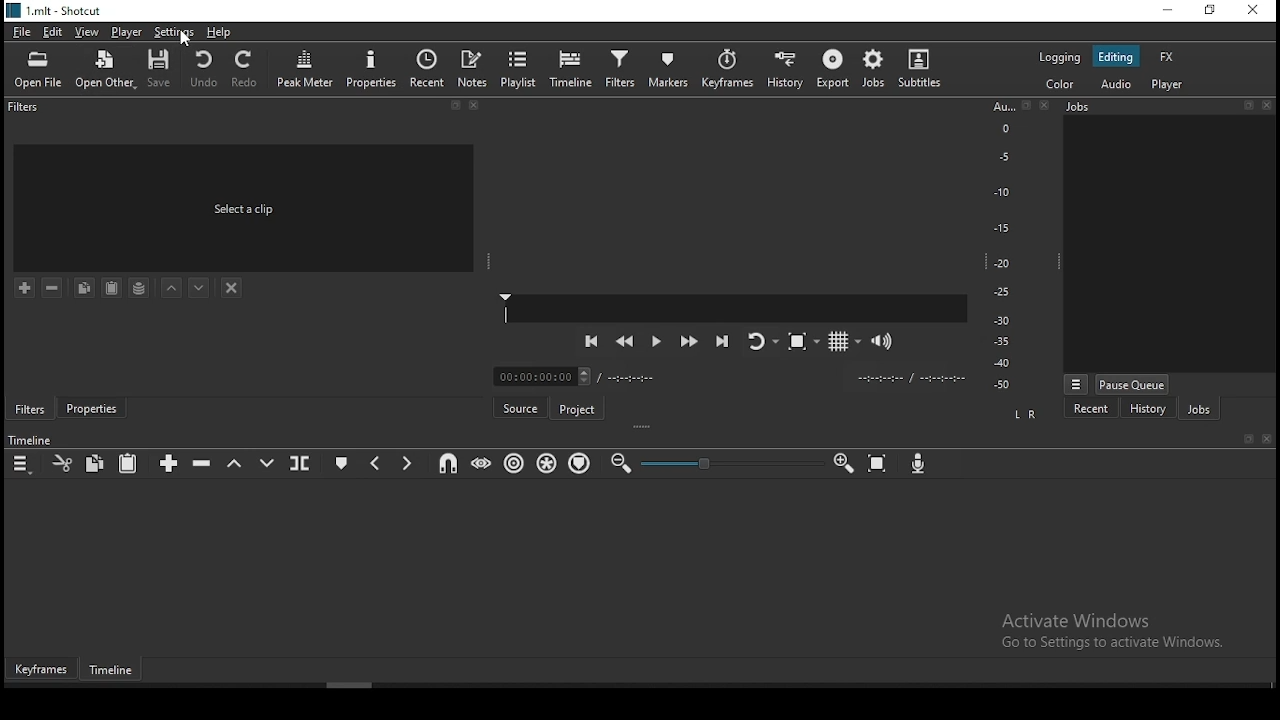  I want to click on show volume control, so click(885, 338).